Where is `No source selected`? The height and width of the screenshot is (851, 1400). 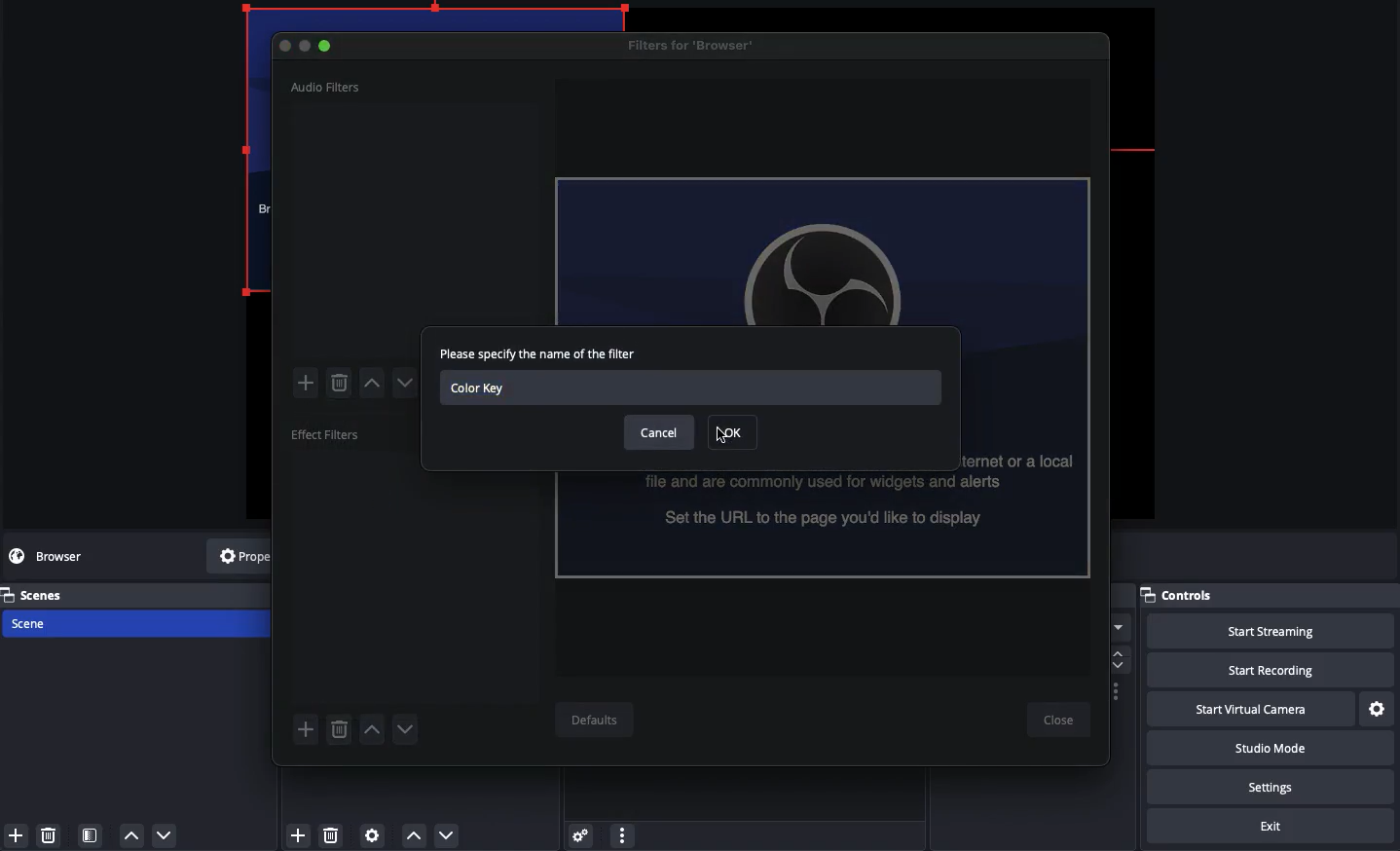 No source selected is located at coordinates (63, 556).